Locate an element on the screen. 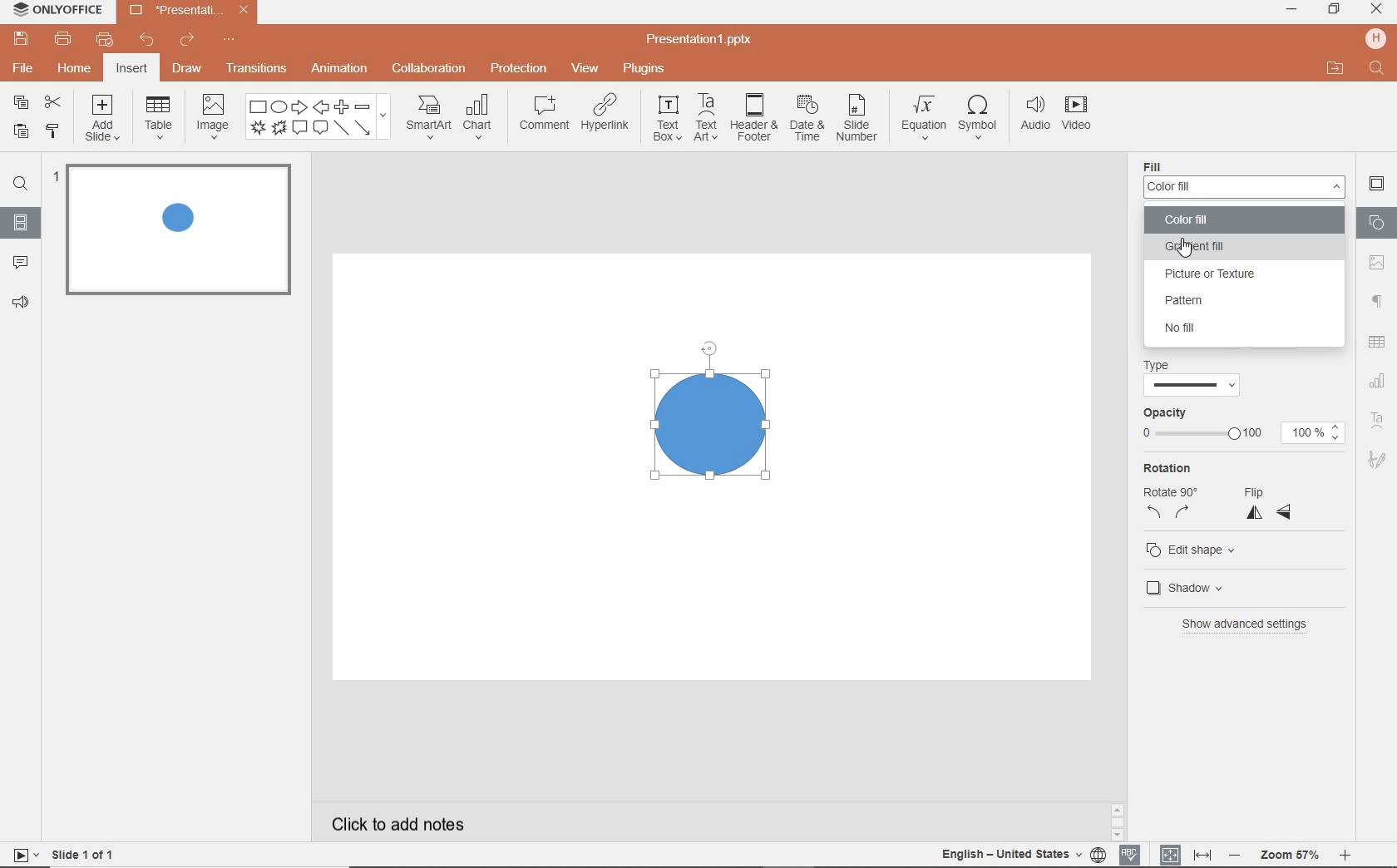 The image size is (1397, 868). chart is located at coordinates (1376, 382).